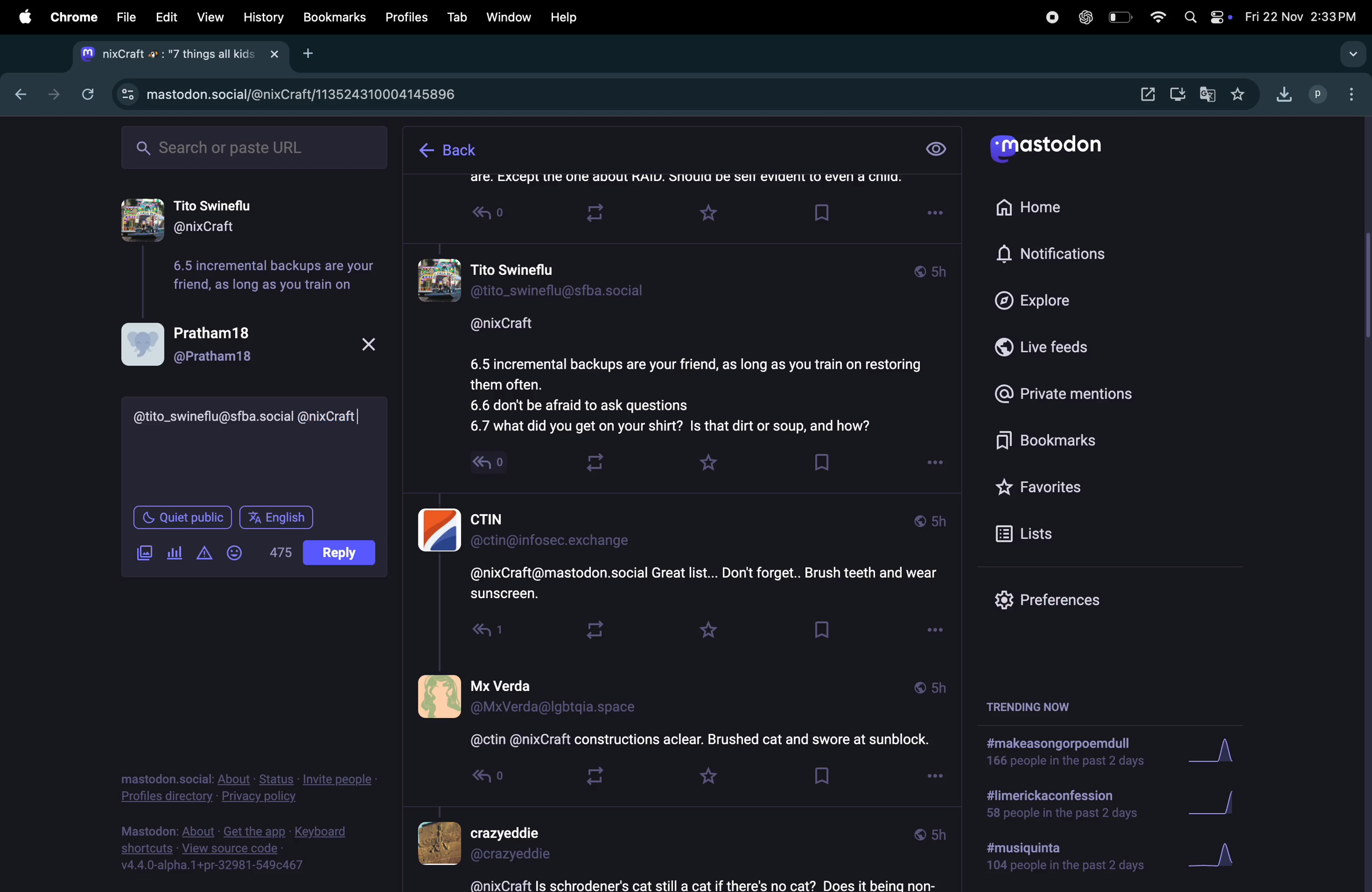 The image size is (1372, 892). Describe the element at coordinates (930, 630) in the screenshot. I see `Options` at that location.